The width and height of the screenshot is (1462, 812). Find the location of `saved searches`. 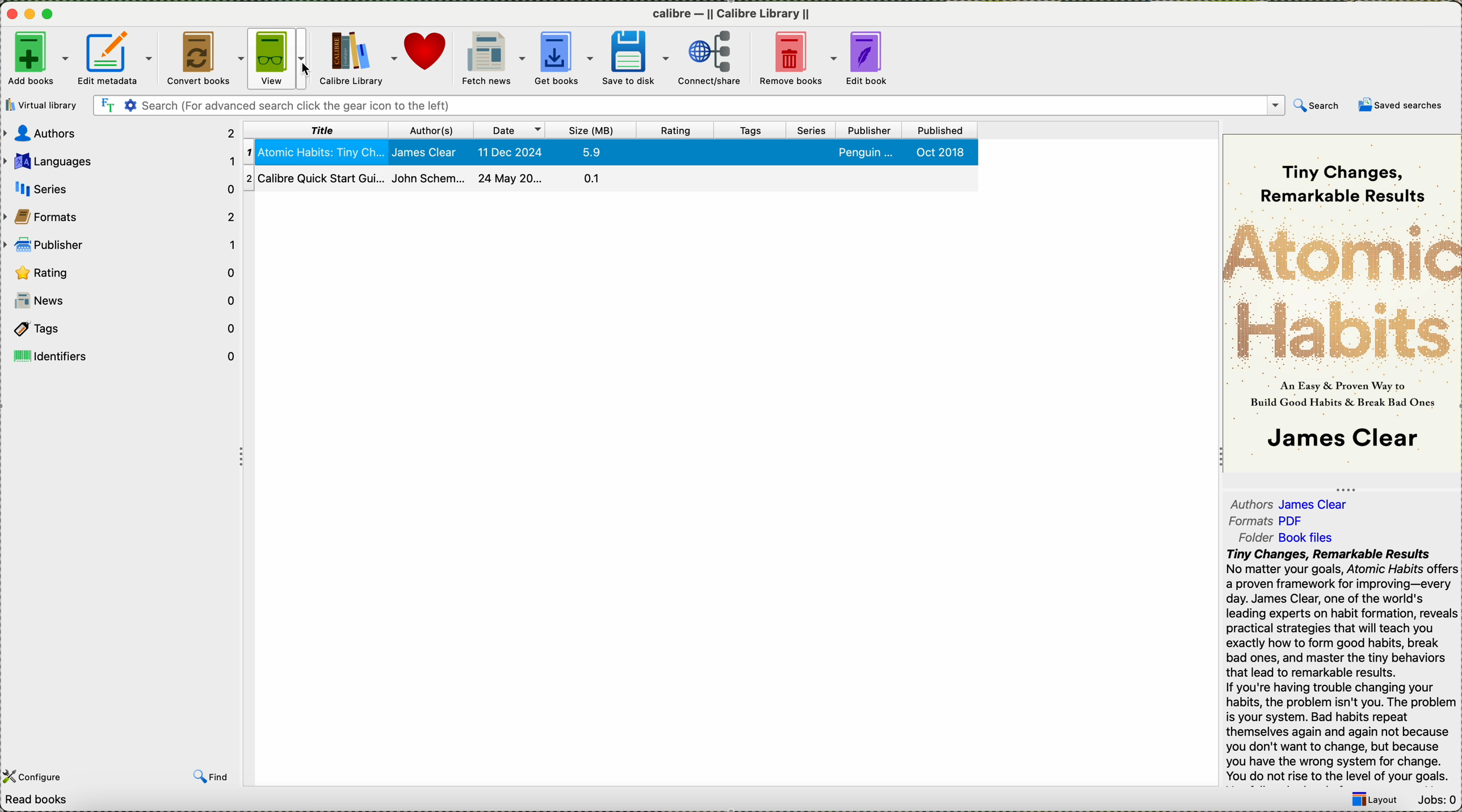

saved searches is located at coordinates (1401, 106).